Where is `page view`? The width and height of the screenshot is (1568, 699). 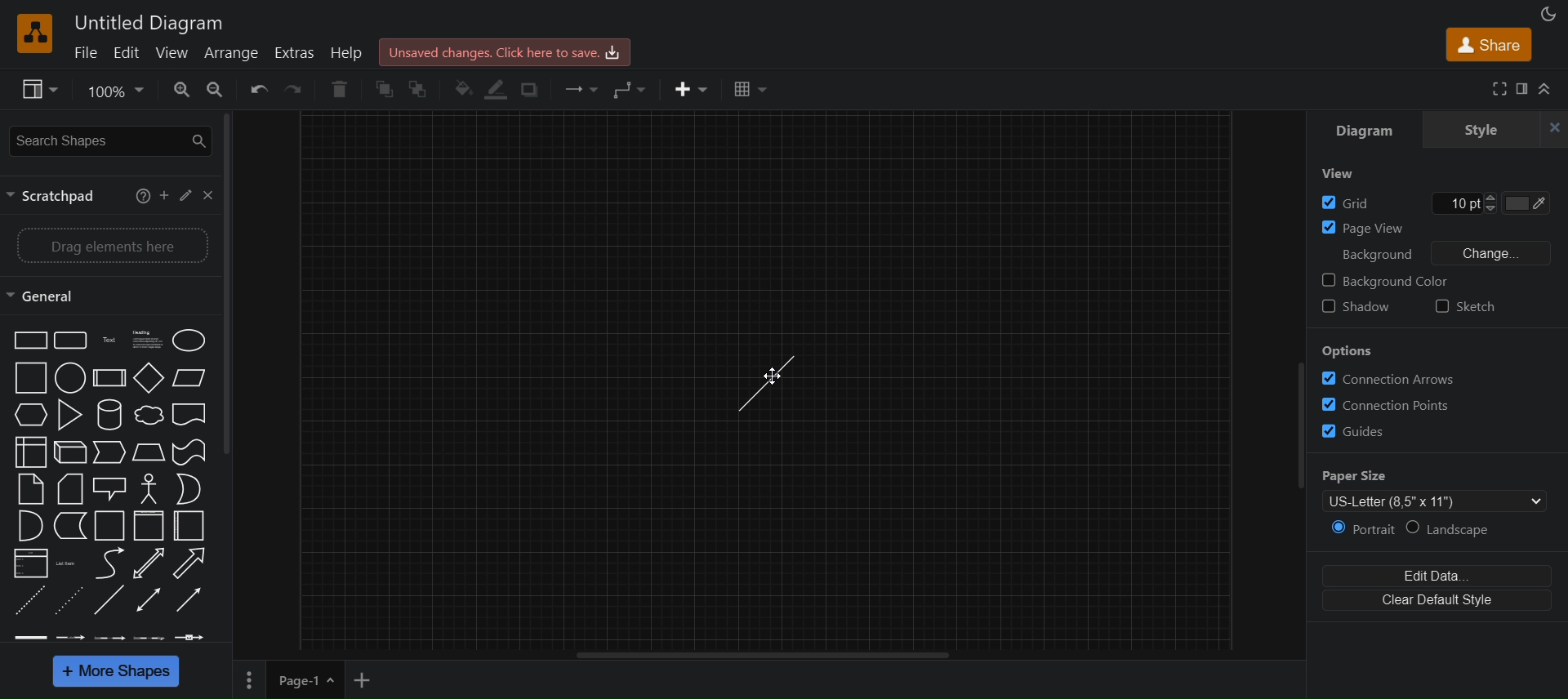
page view is located at coordinates (1361, 228).